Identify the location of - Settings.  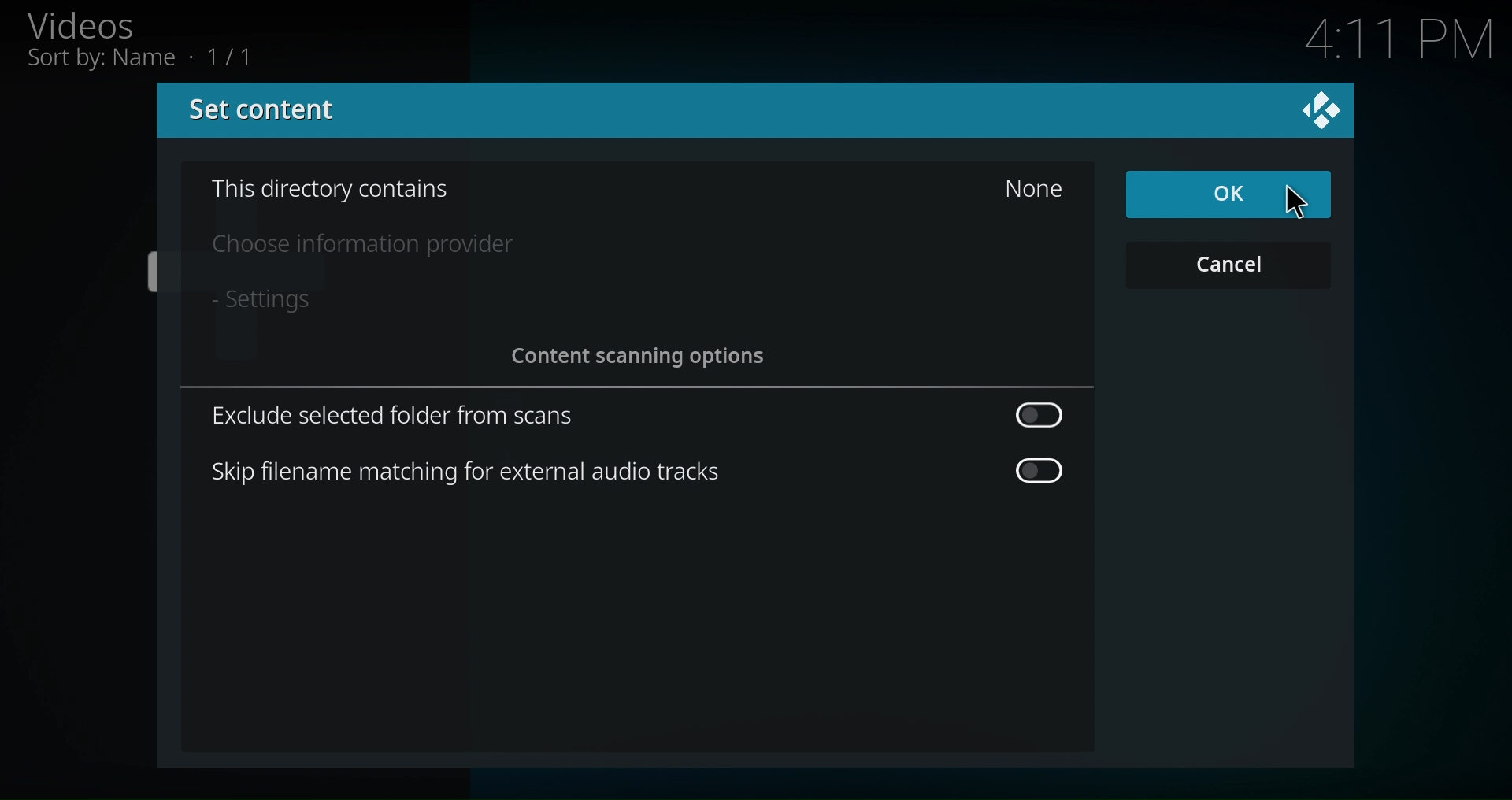
(273, 298).